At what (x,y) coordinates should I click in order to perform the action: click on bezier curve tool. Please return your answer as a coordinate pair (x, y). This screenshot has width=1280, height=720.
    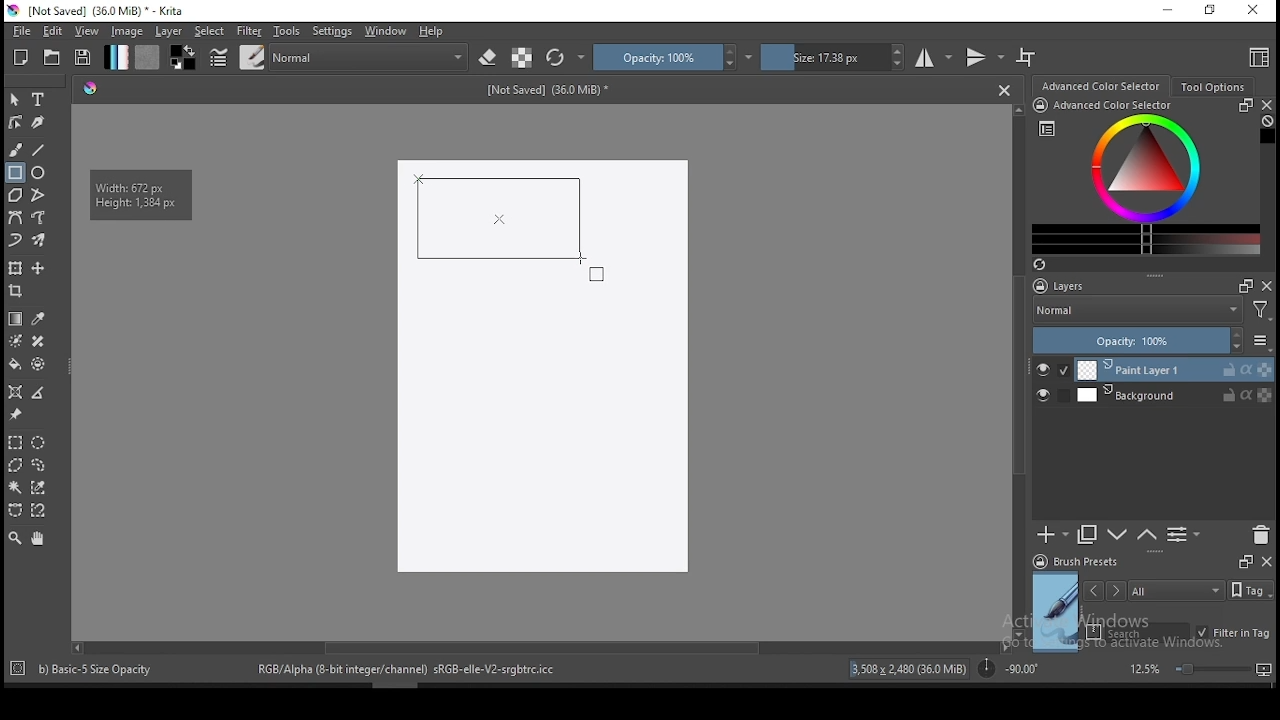
    Looking at the image, I should click on (14, 219).